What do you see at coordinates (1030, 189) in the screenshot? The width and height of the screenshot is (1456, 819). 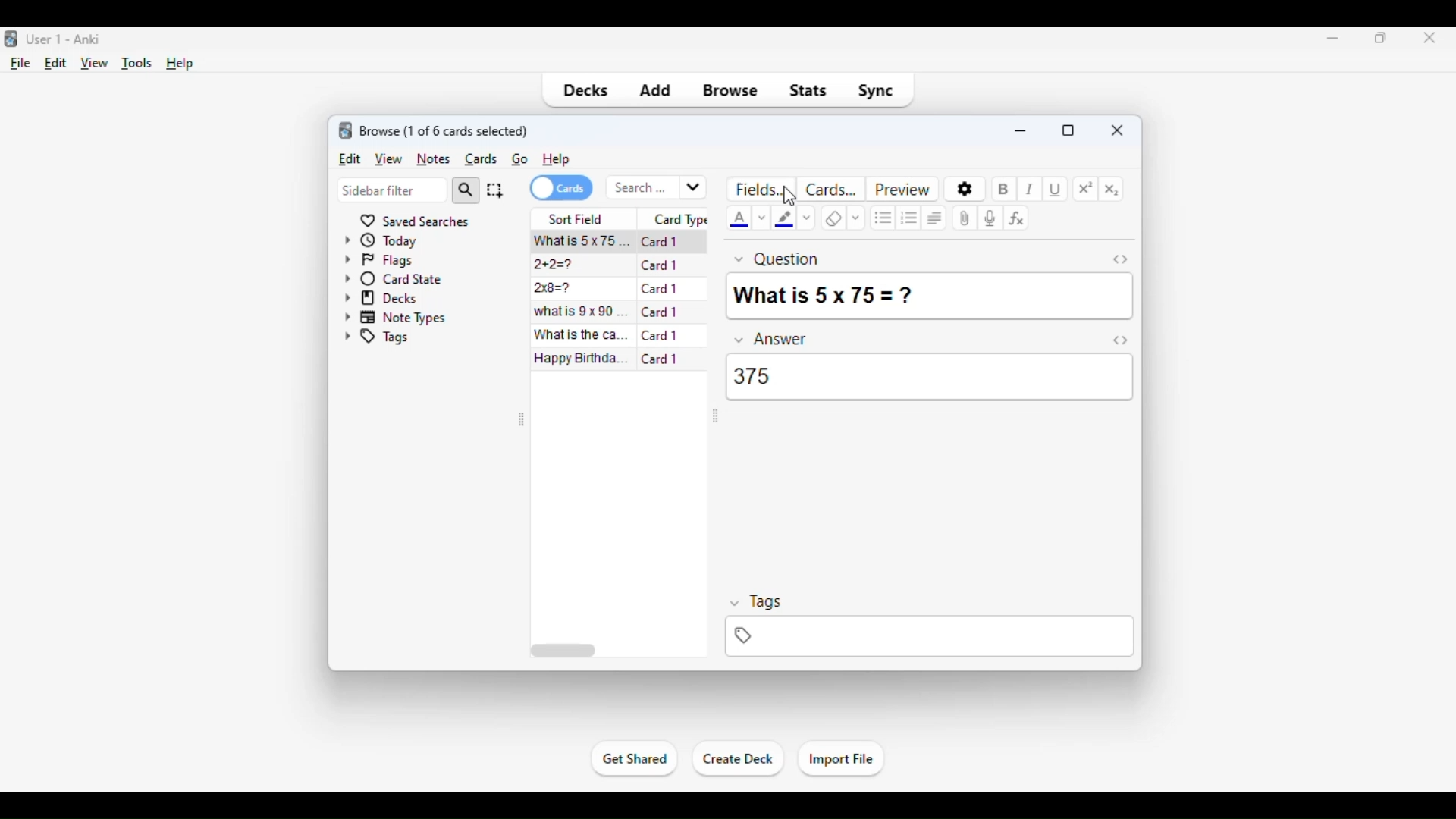 I see `italic` at bounding box center [1030, 189].